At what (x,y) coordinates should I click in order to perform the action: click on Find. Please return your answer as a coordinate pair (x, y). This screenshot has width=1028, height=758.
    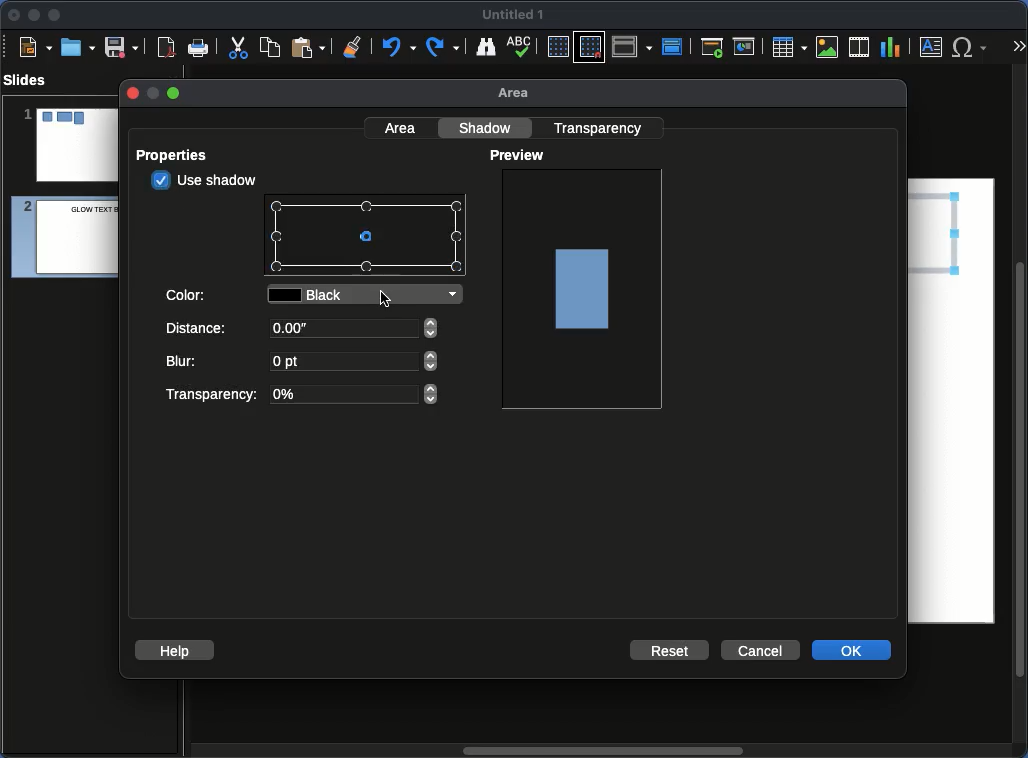
    Looking at the image, I should click on (485, 46).